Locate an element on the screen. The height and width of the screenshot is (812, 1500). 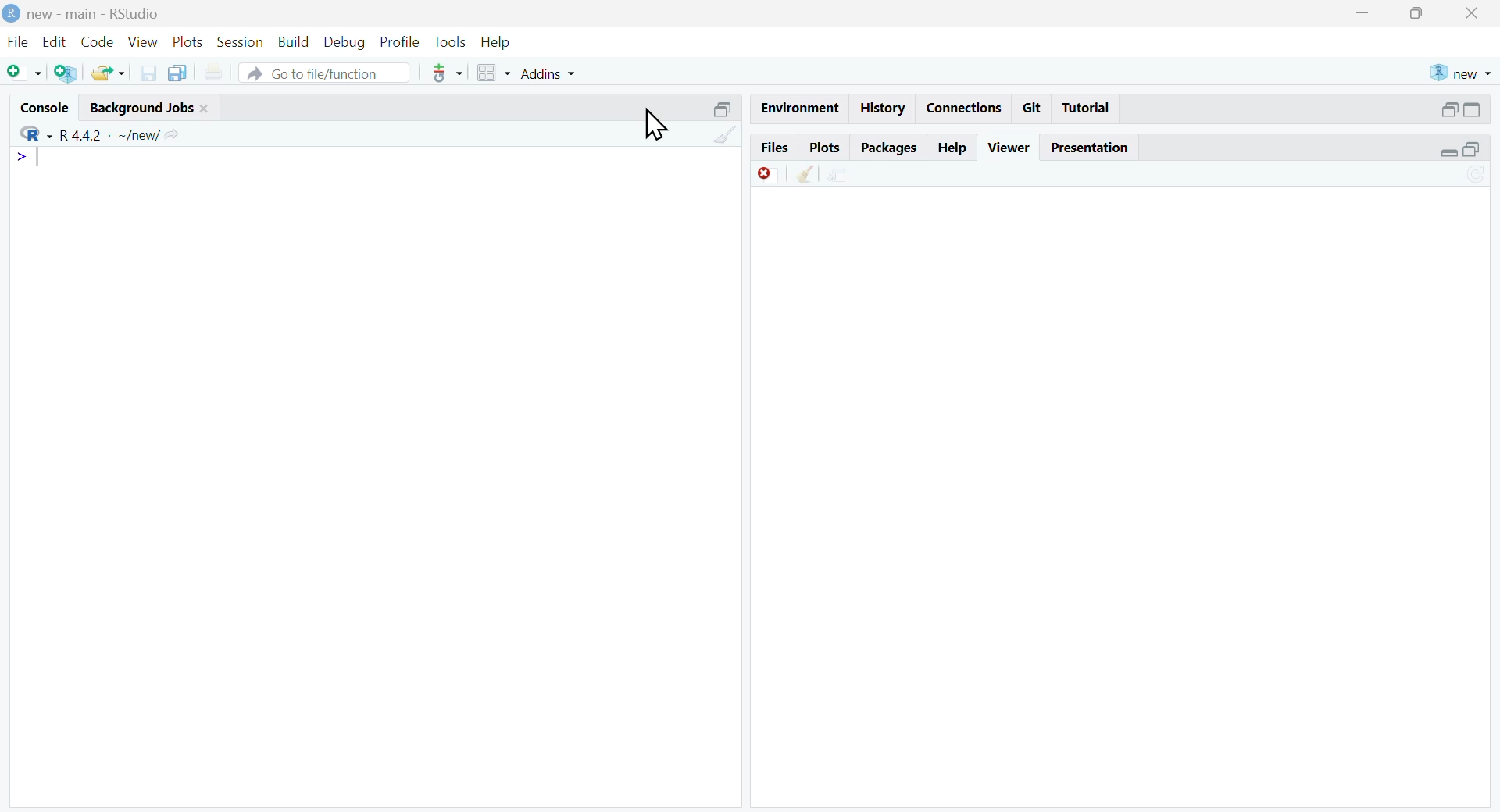
delete file is located at coordinates (768, 175).